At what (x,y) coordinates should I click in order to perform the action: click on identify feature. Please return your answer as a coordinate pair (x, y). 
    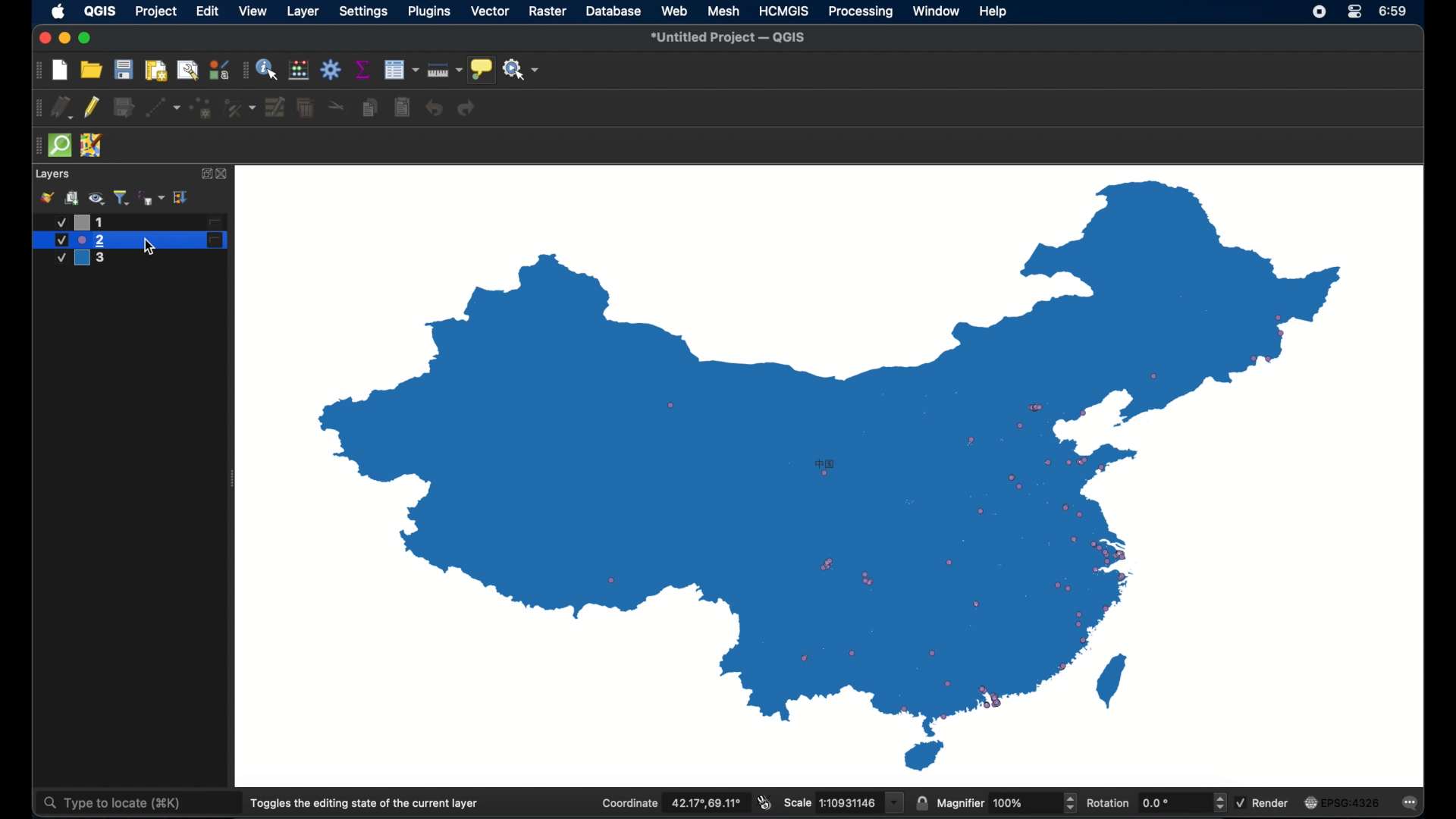
    Looking at the image, I should click on (268, 68).